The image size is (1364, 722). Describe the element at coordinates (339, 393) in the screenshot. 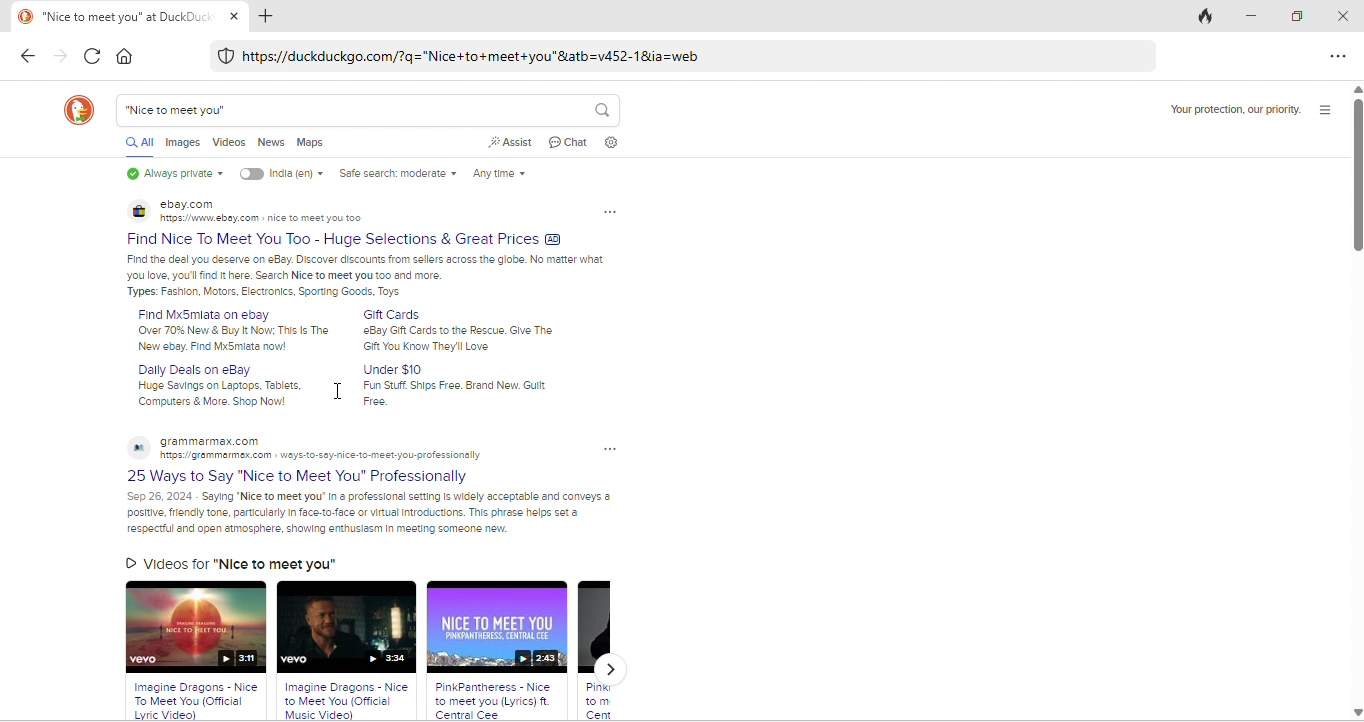

I see `Text Cursor` at that location.